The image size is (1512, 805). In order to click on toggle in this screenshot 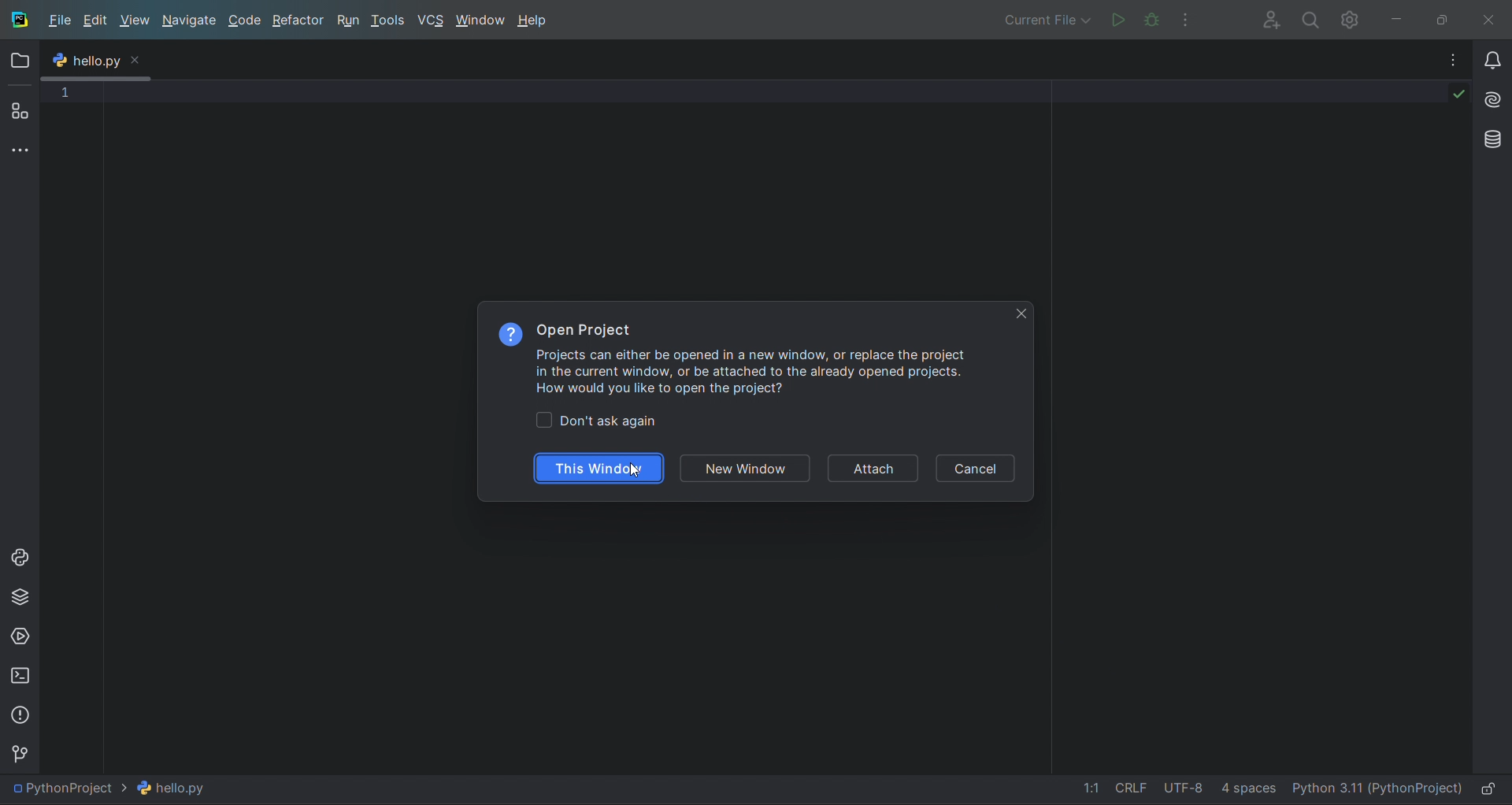, I will do `click(615, 421)`.